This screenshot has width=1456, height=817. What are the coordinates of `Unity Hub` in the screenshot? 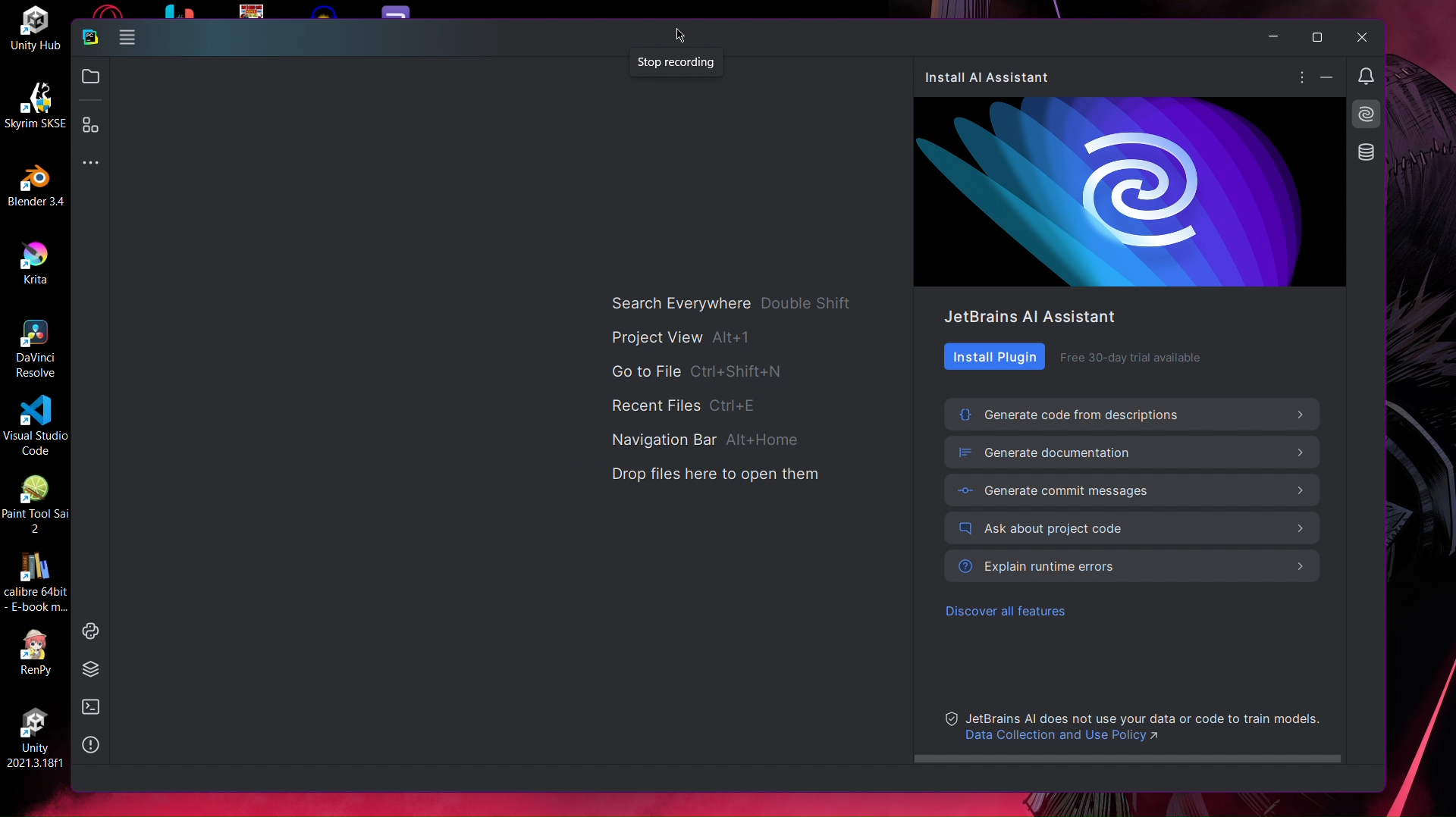 It's located at (36, 29).